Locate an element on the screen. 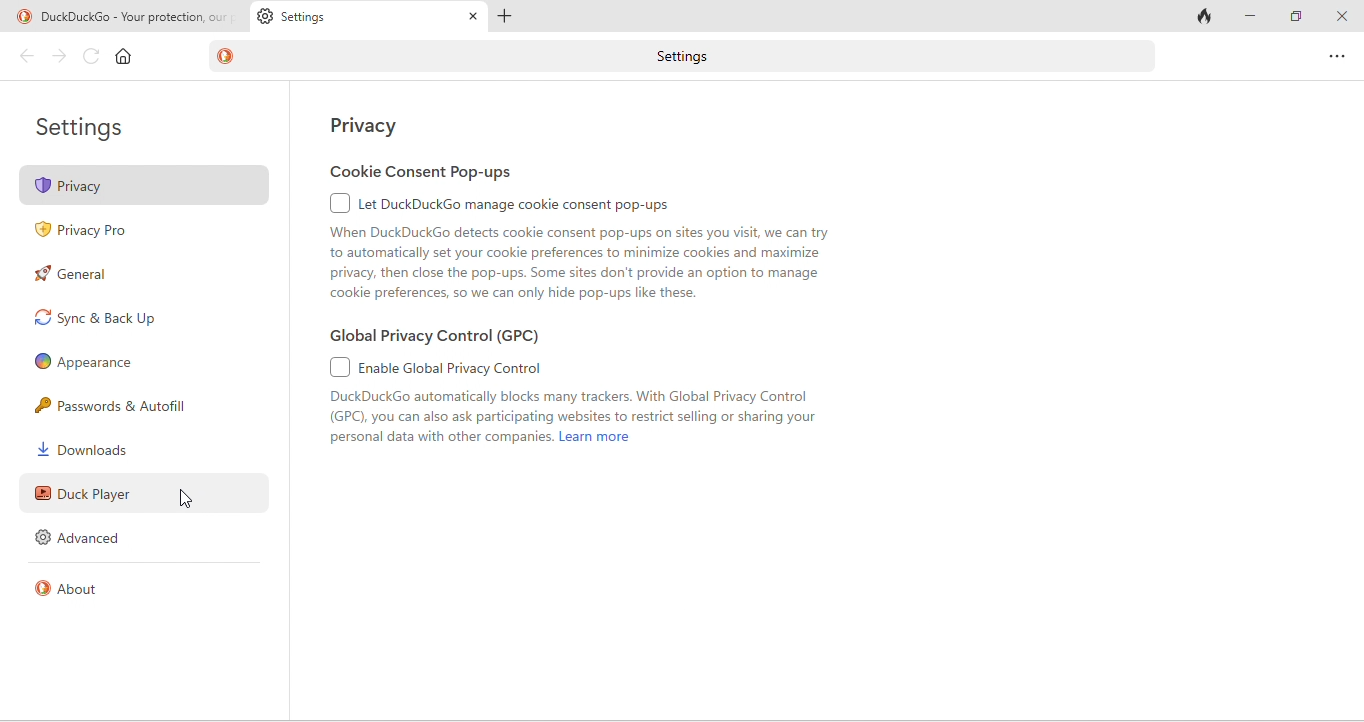 The height and width of the screenshot is (722, 1364). sync and back up is located at coordinates (130, 318).